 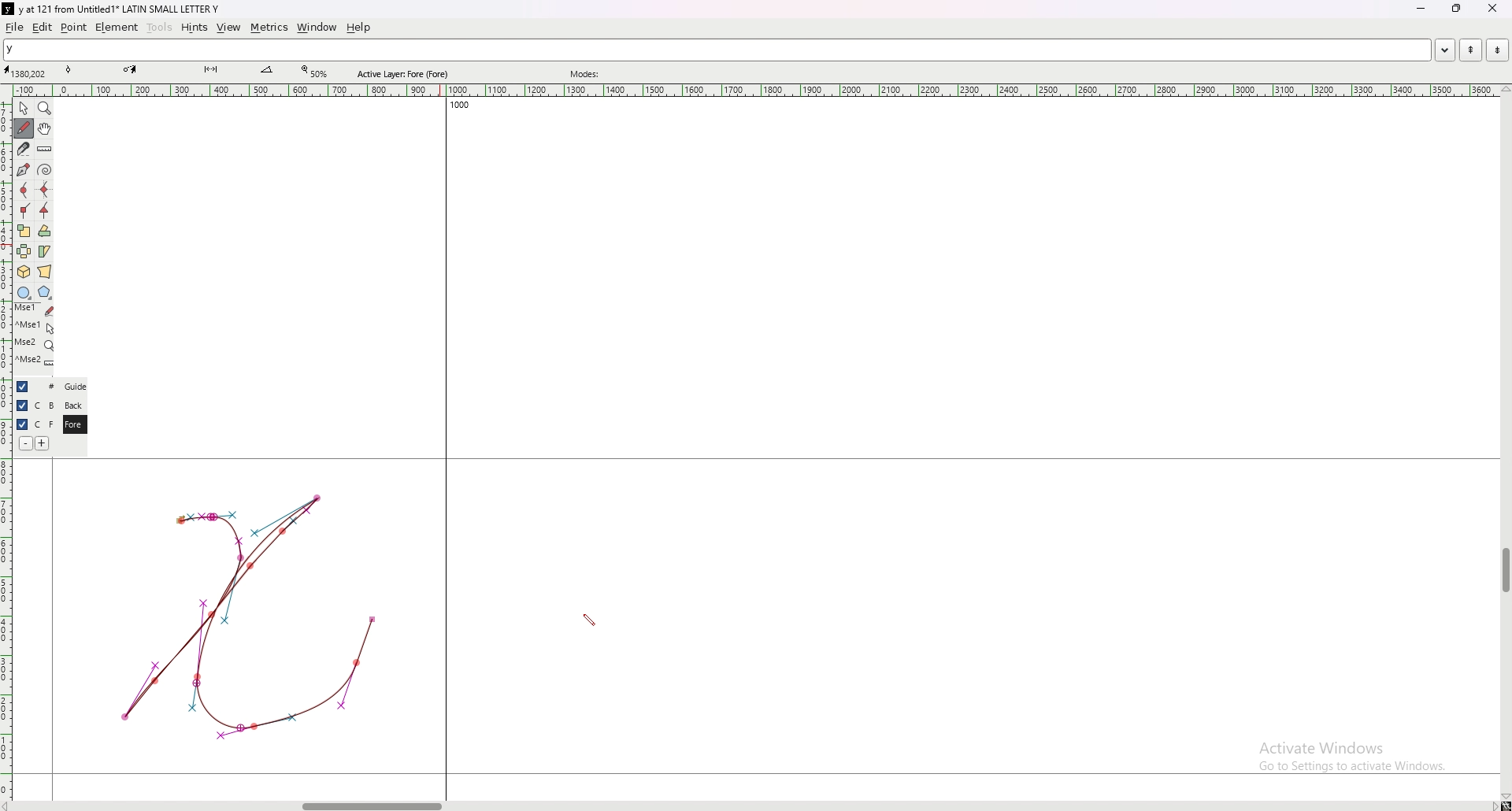 I want to click on help, so click(x=358, y=28).